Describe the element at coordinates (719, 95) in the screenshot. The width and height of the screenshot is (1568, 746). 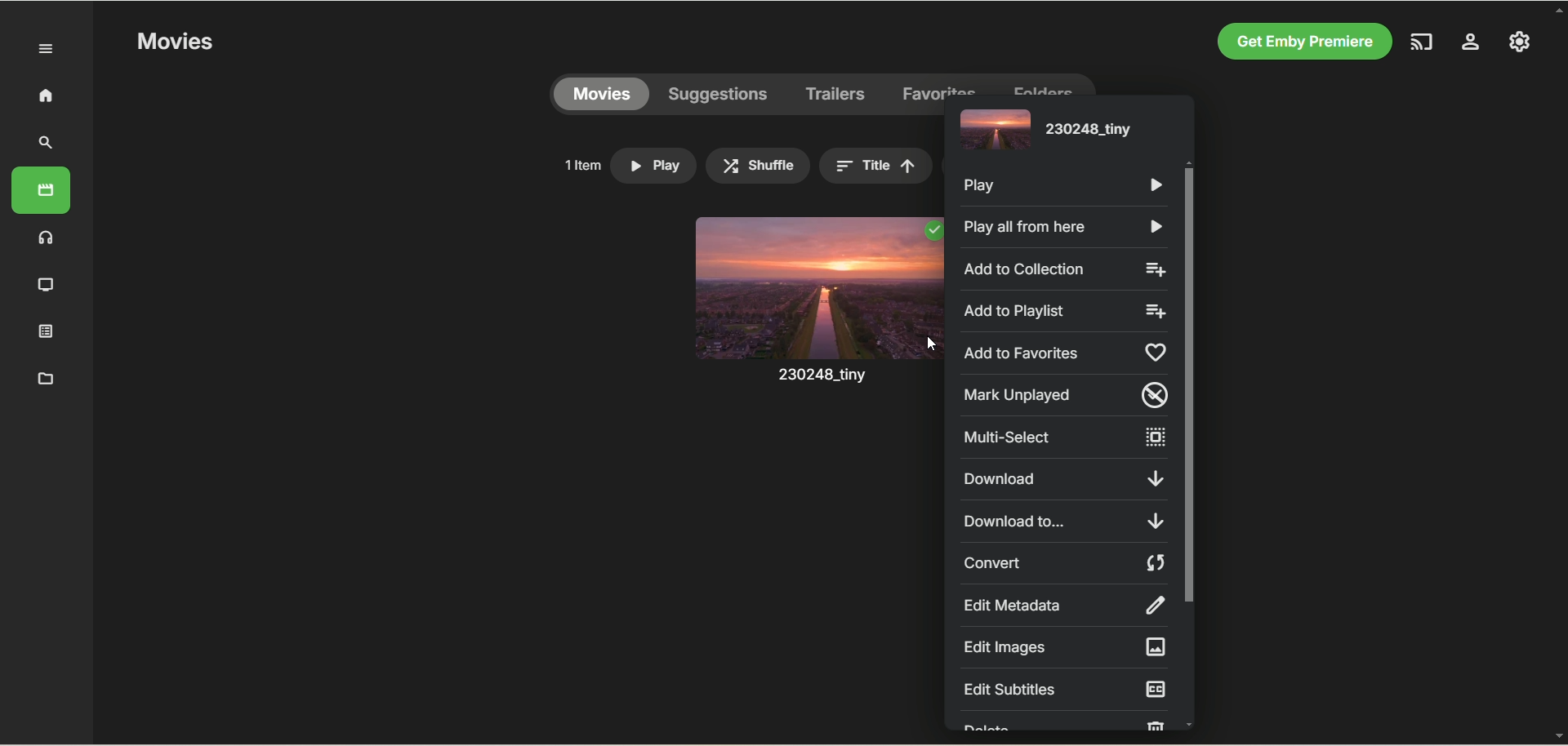
I see `suggestions` at that location.